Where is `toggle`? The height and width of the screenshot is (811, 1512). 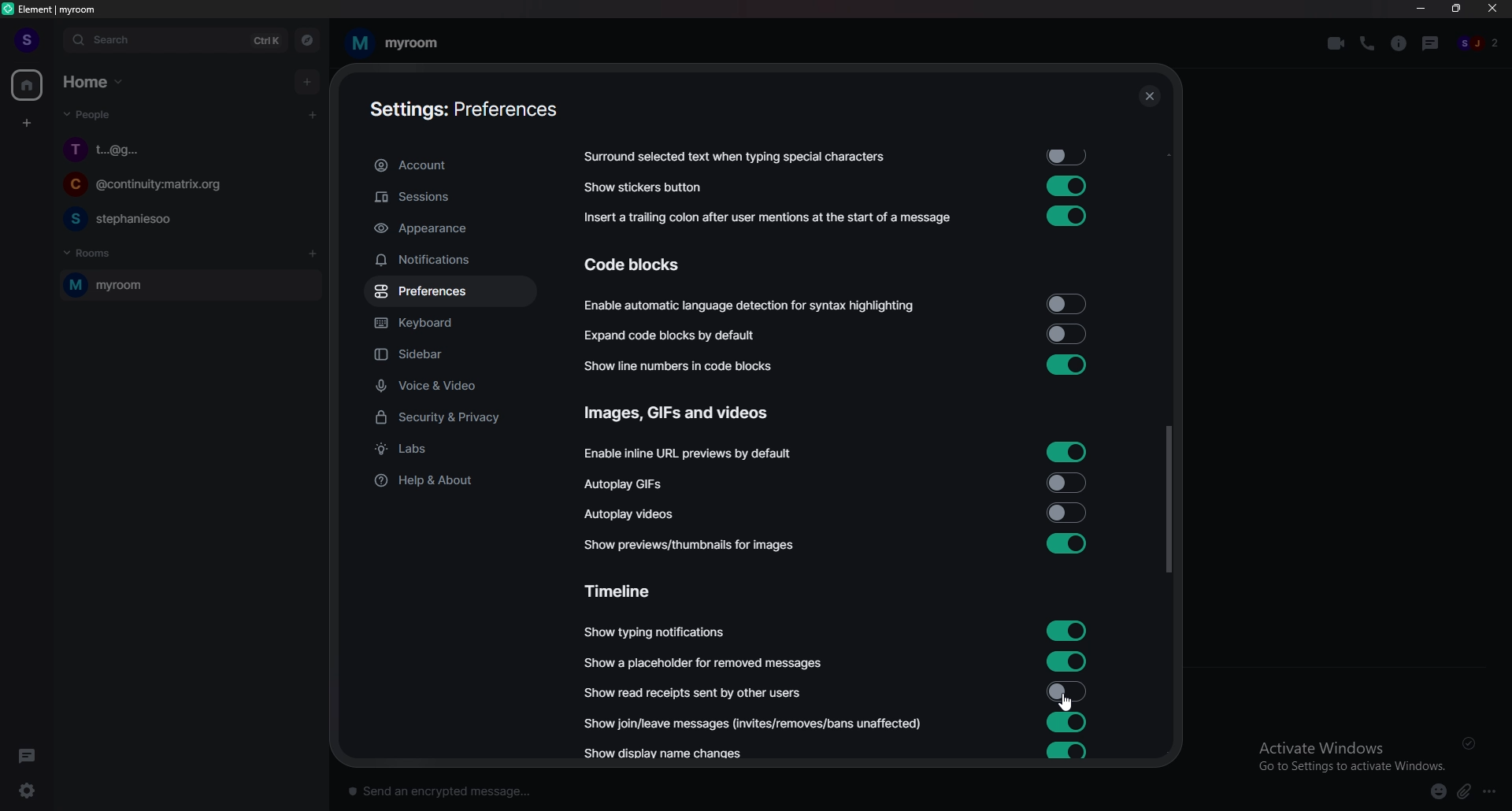 toggle is located at coordinates (1066, 364).